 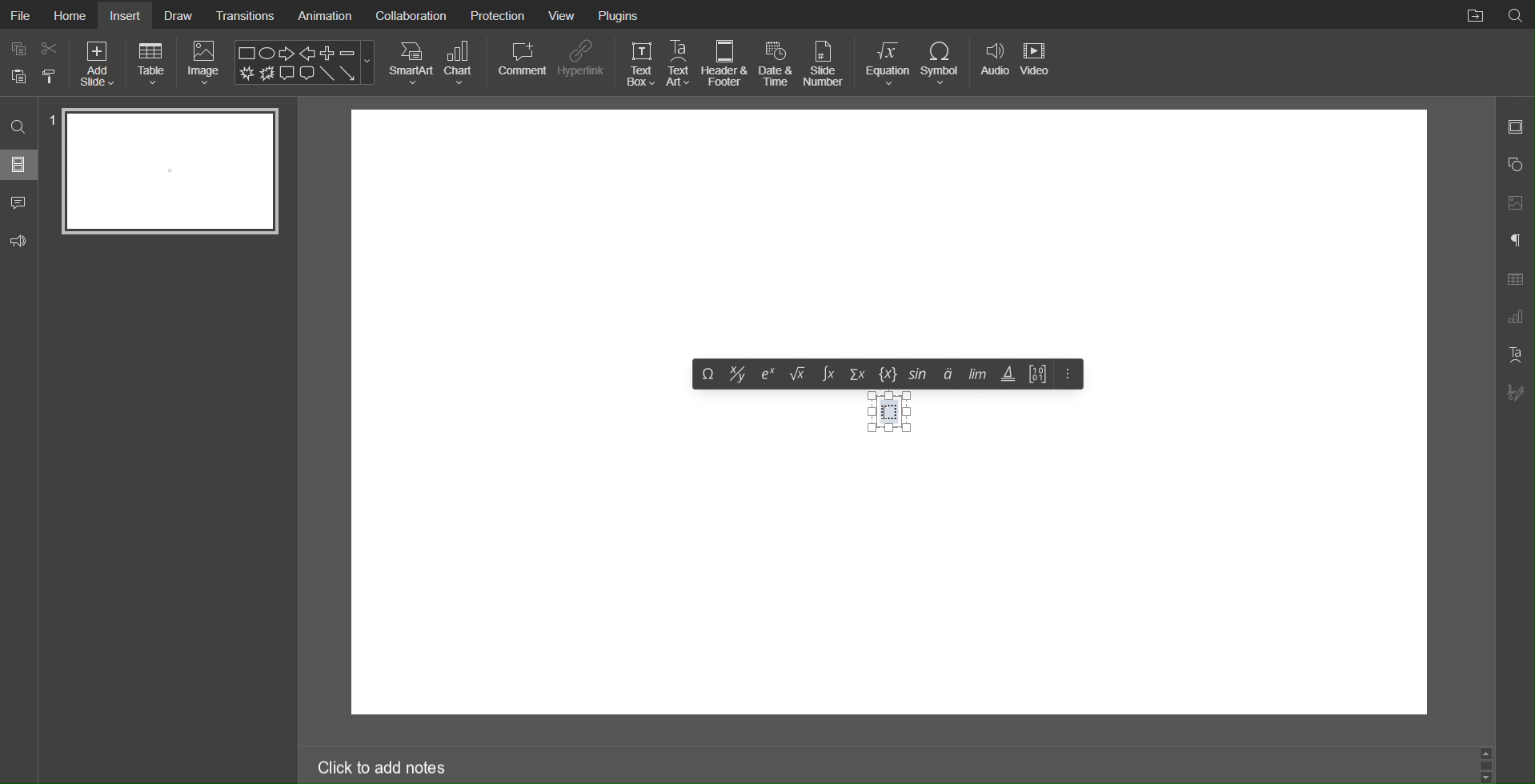 What do you see at coordinates (707, 374) in the screenshot?
I see `Symbols` at bounding box center [707, 374].